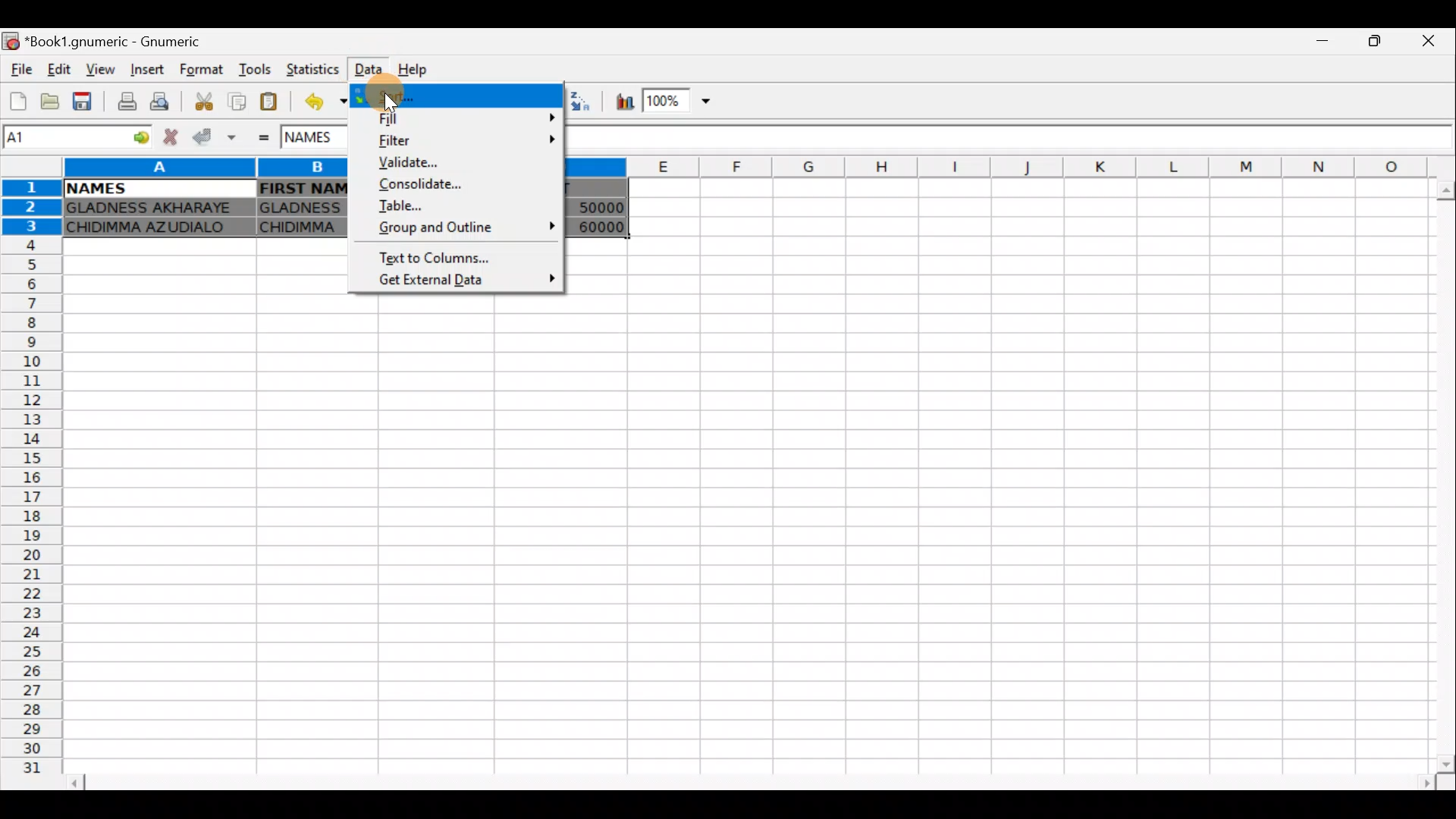  I want to click on Cells, so click(766, 533).